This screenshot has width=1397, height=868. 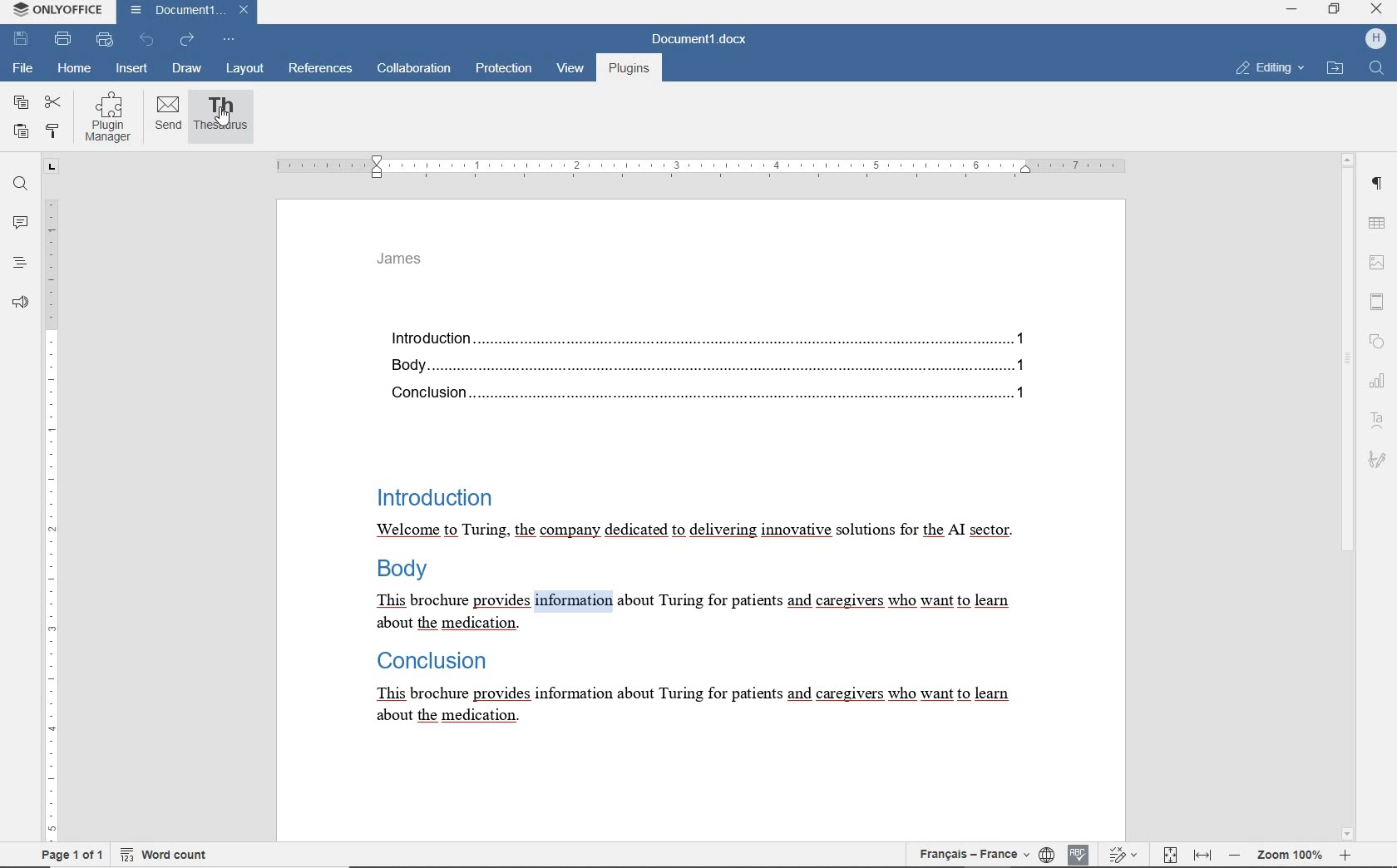 What do you see at coordinates (1364, 40) in the screenshot?
I see `profile` at bounding box center [1364, 40].